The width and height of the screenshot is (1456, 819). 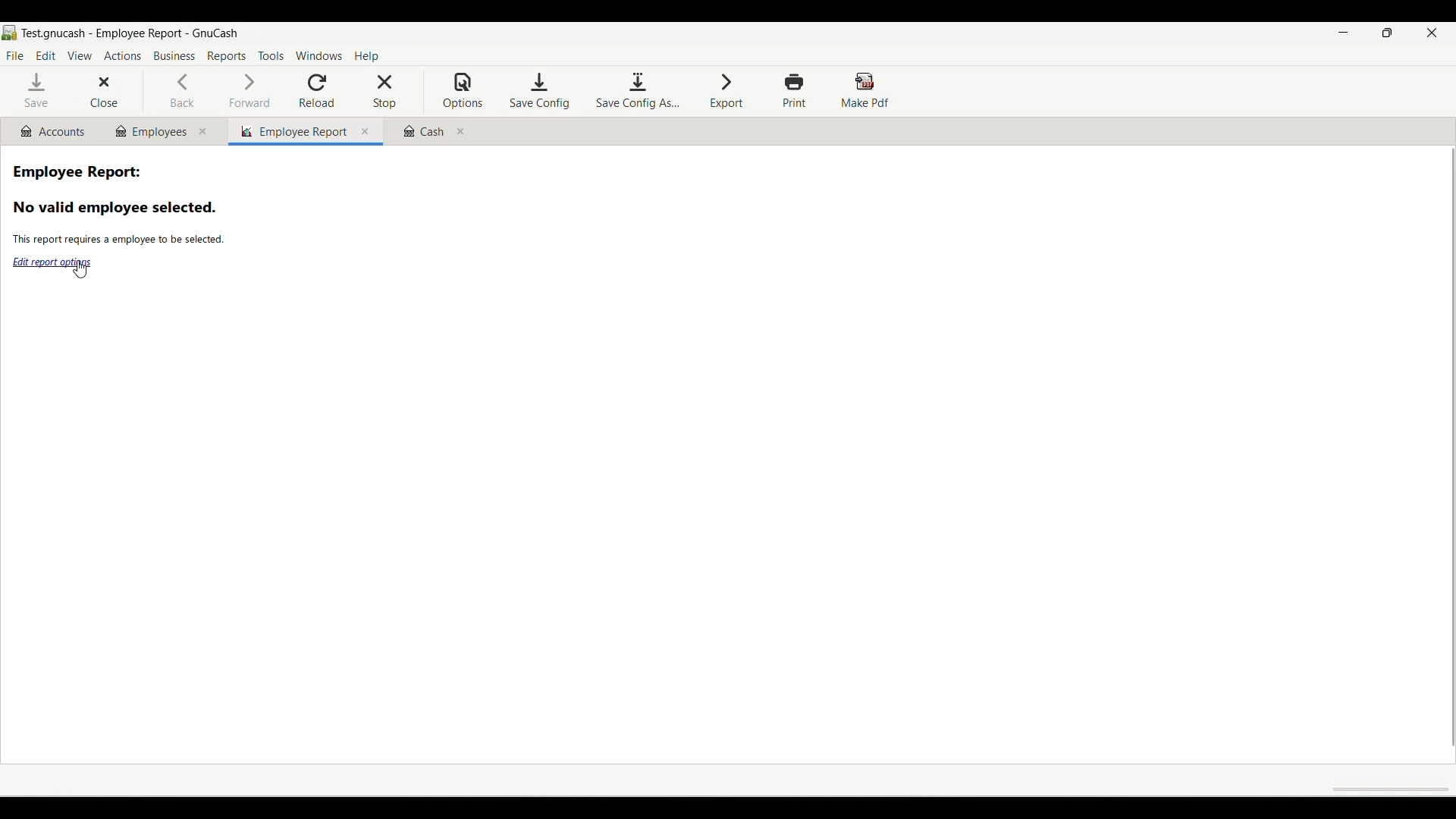 I want to click on Business, so click(x=175, y=56).